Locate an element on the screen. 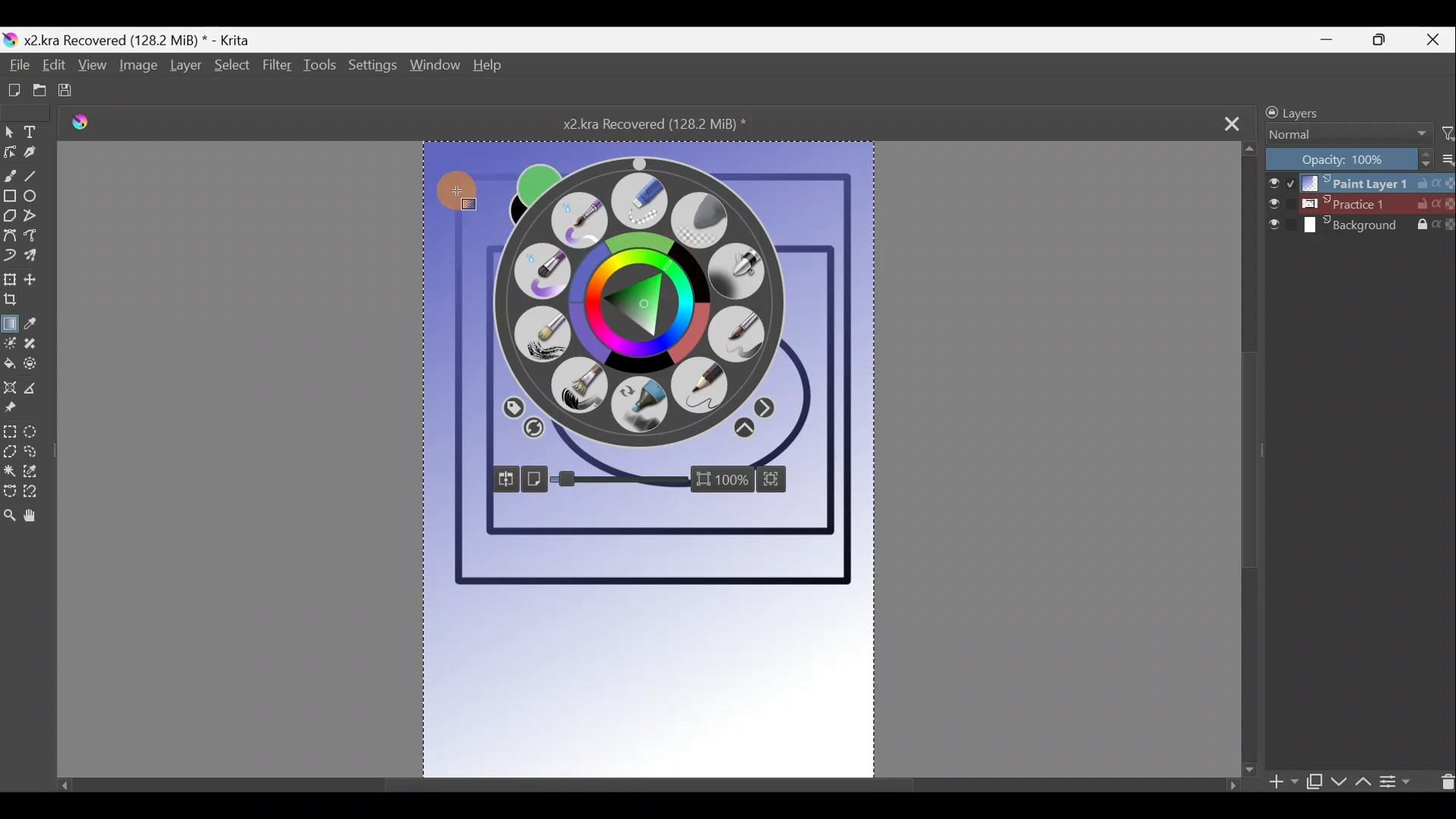 The height and width of the screenshot is (819, 1456). image is located at coordinates (668, 157).